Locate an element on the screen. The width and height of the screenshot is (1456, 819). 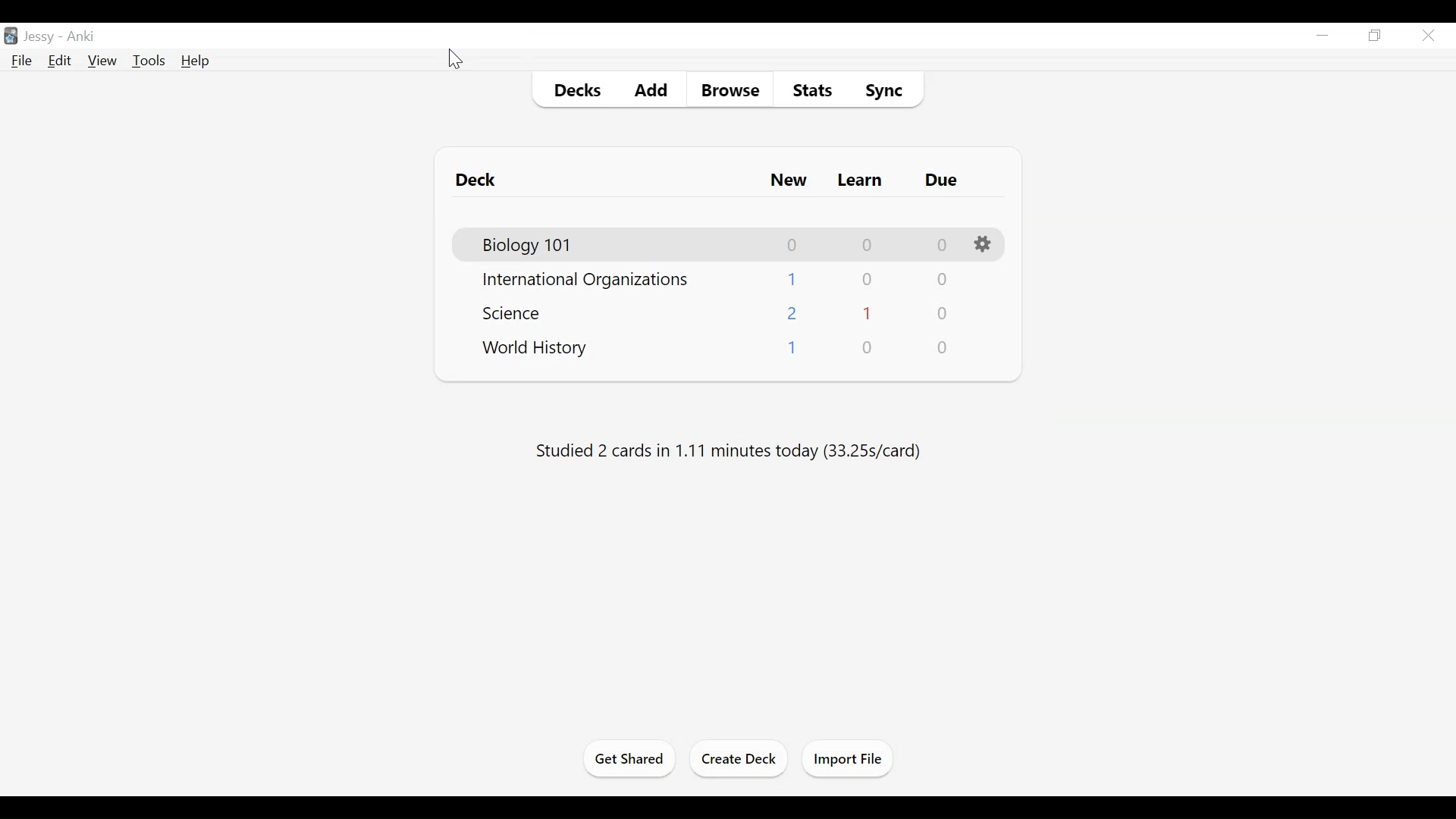
Learn Cards Count is located at coordinates (868, 314).